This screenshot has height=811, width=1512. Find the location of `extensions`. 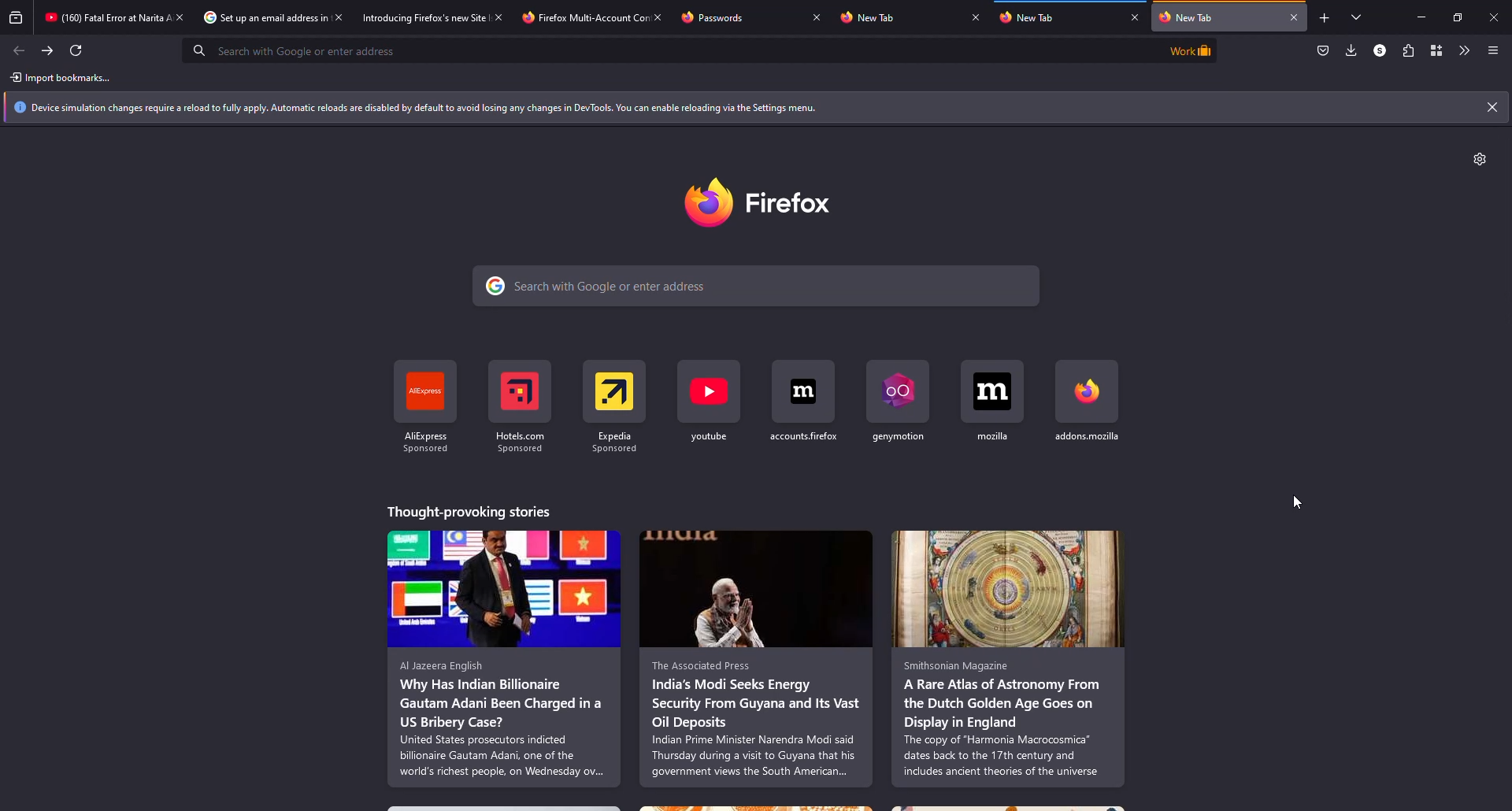

extensions is located at coordinates (1406, 50).